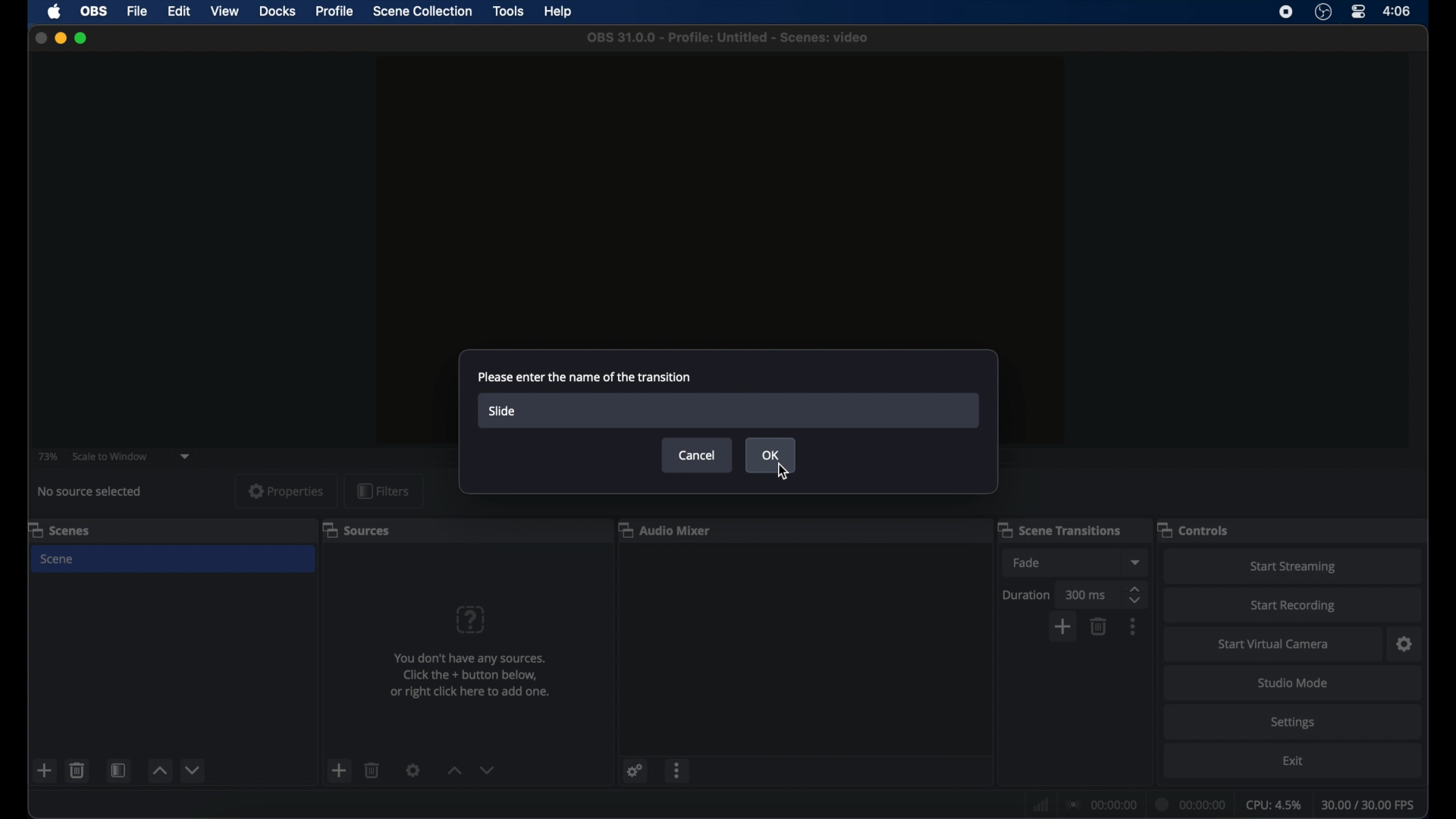  Describe the element at coordinates (1100, 804) in the screenshot. I see `connection` at that location.